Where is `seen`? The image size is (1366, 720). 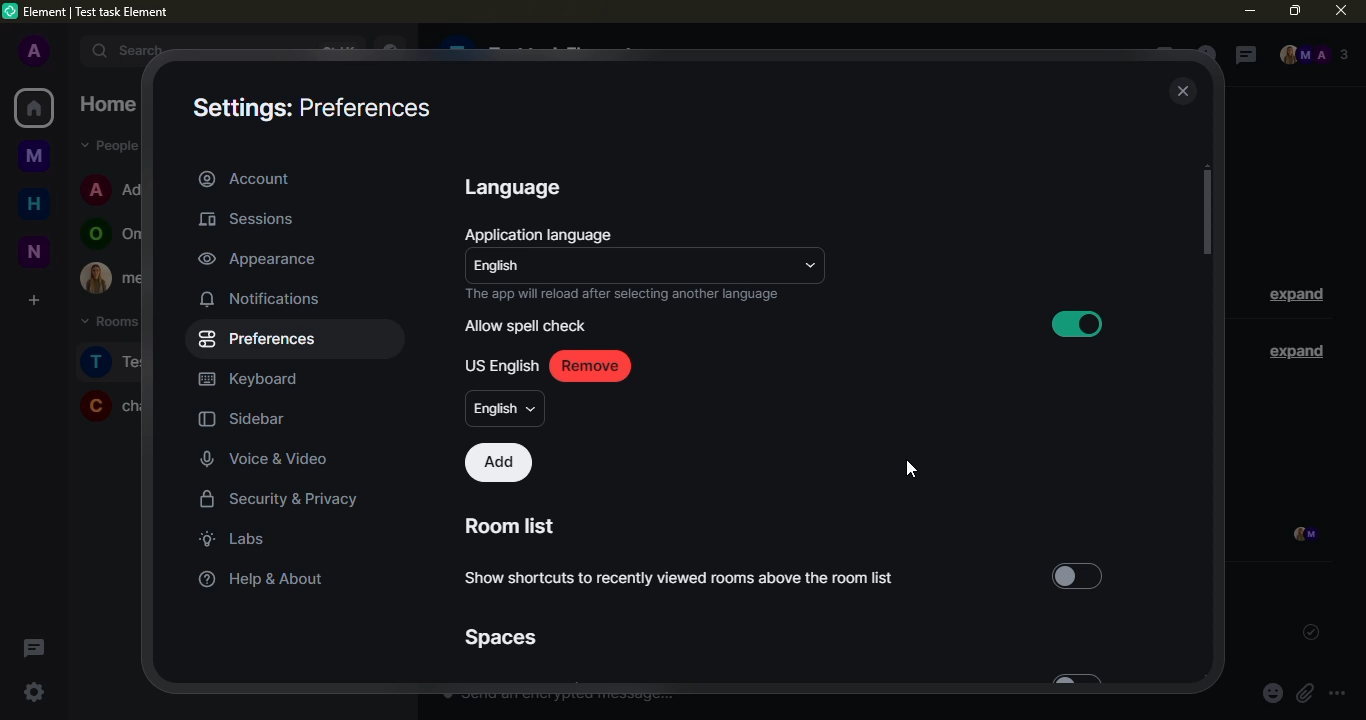 seen is located at coordinates (1302, 536).